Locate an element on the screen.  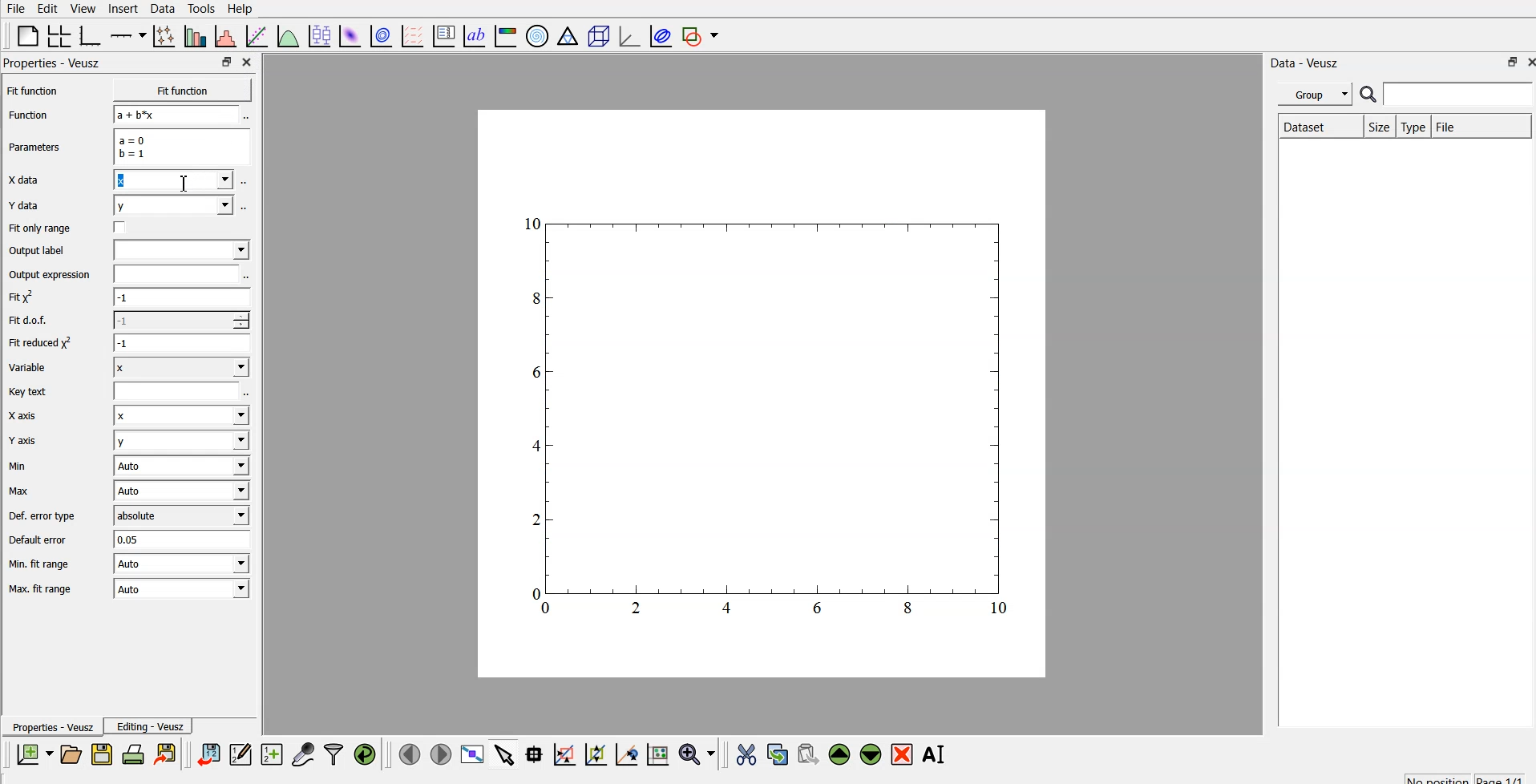
capture remote data is located at coordinates (305, 755).